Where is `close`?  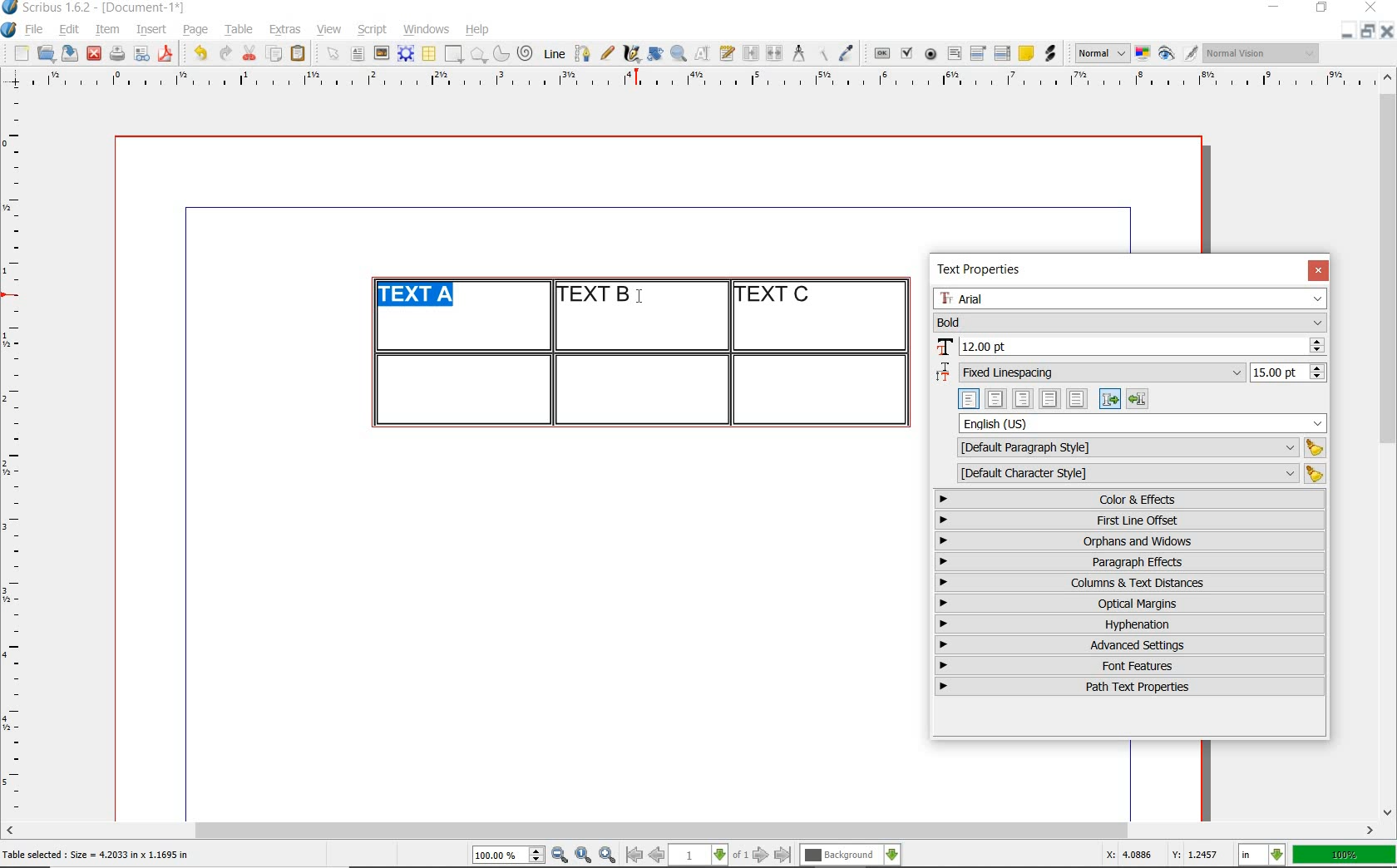
close is located at coordinates (94, 54).